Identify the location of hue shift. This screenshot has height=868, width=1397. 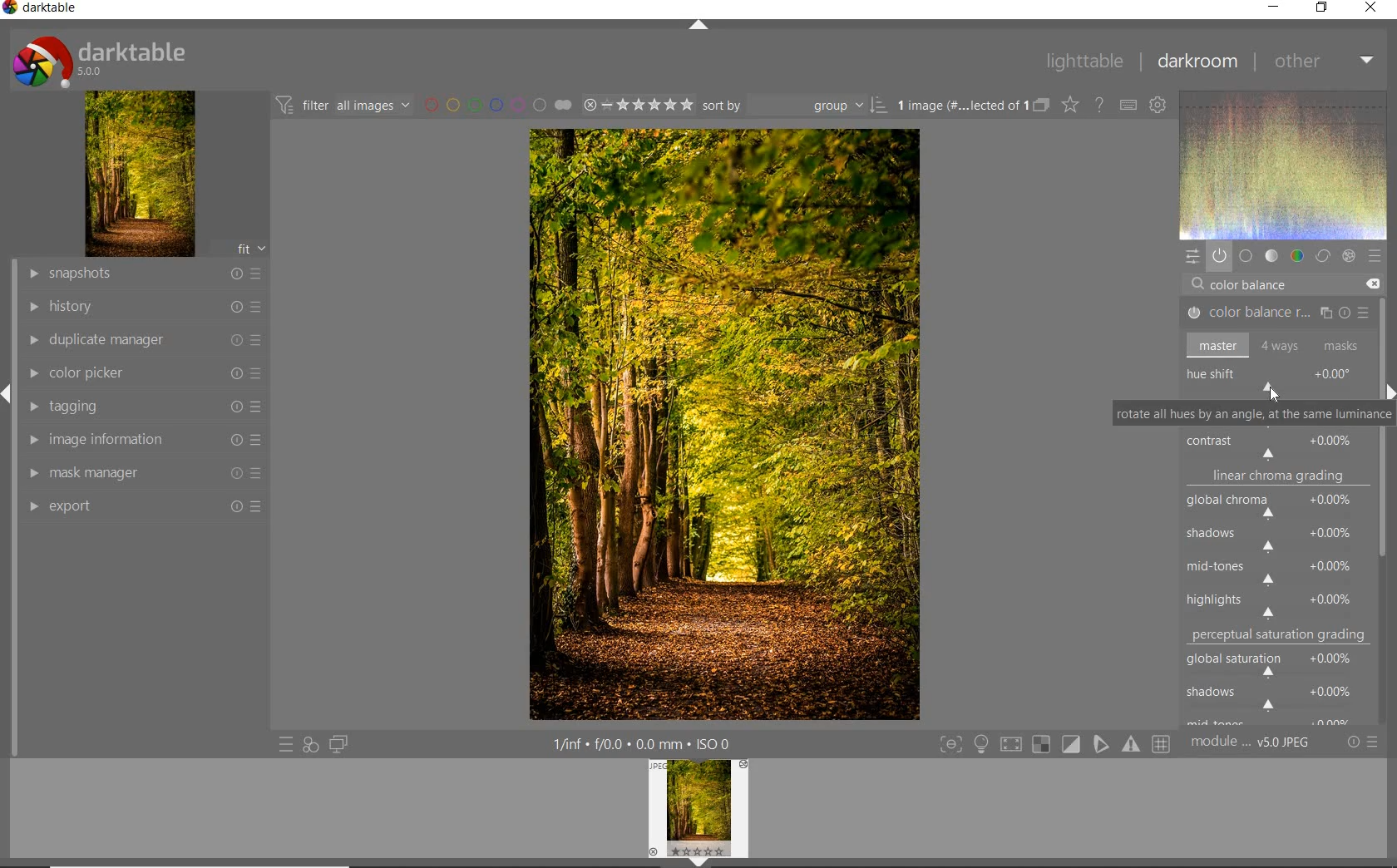
(1277, 380).